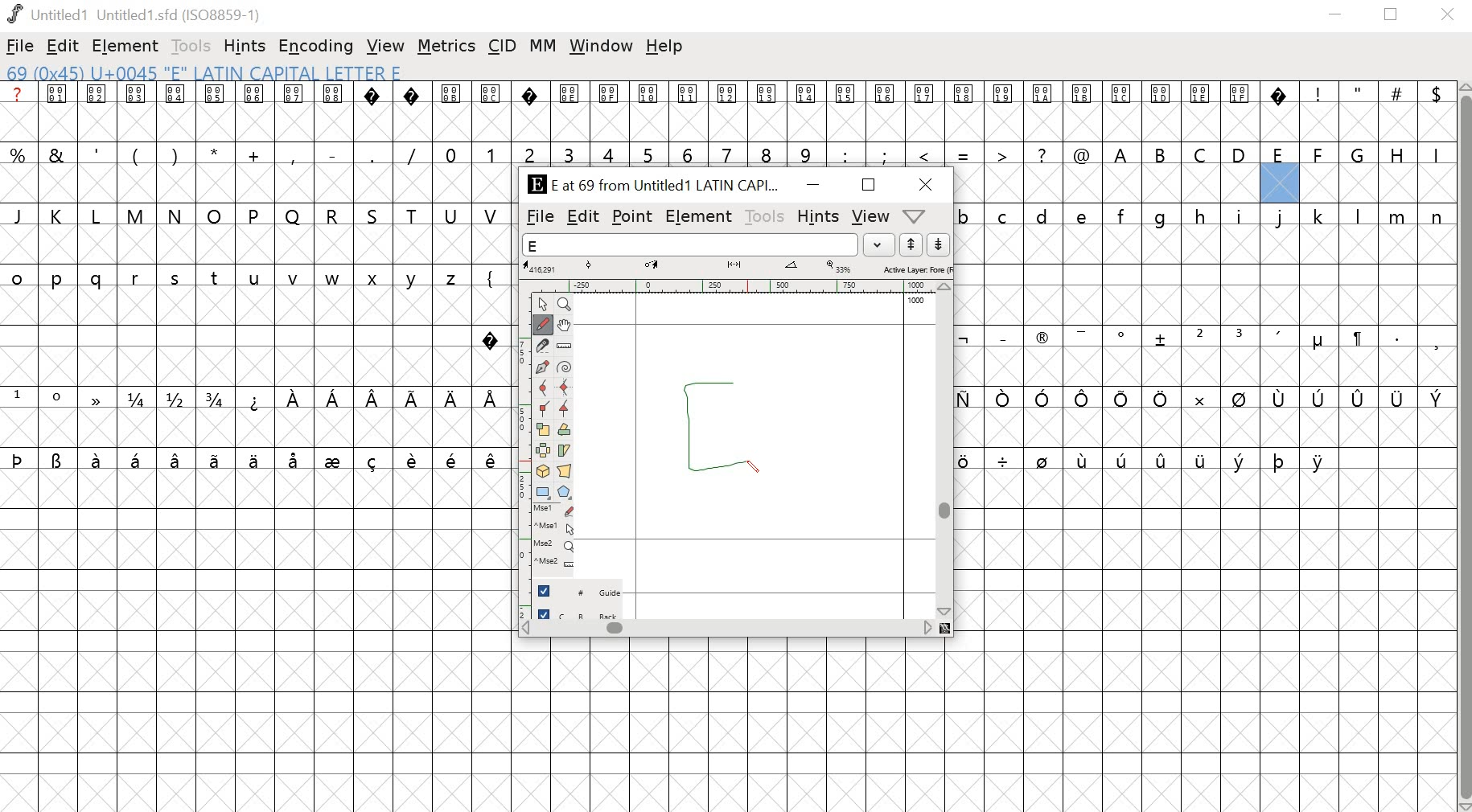 The height and width of the screenshot is (812, 1472). What do you see at coordinates (1336, 17) in the screenshot?
I see `minimize` at bounding box center [1336, 17].